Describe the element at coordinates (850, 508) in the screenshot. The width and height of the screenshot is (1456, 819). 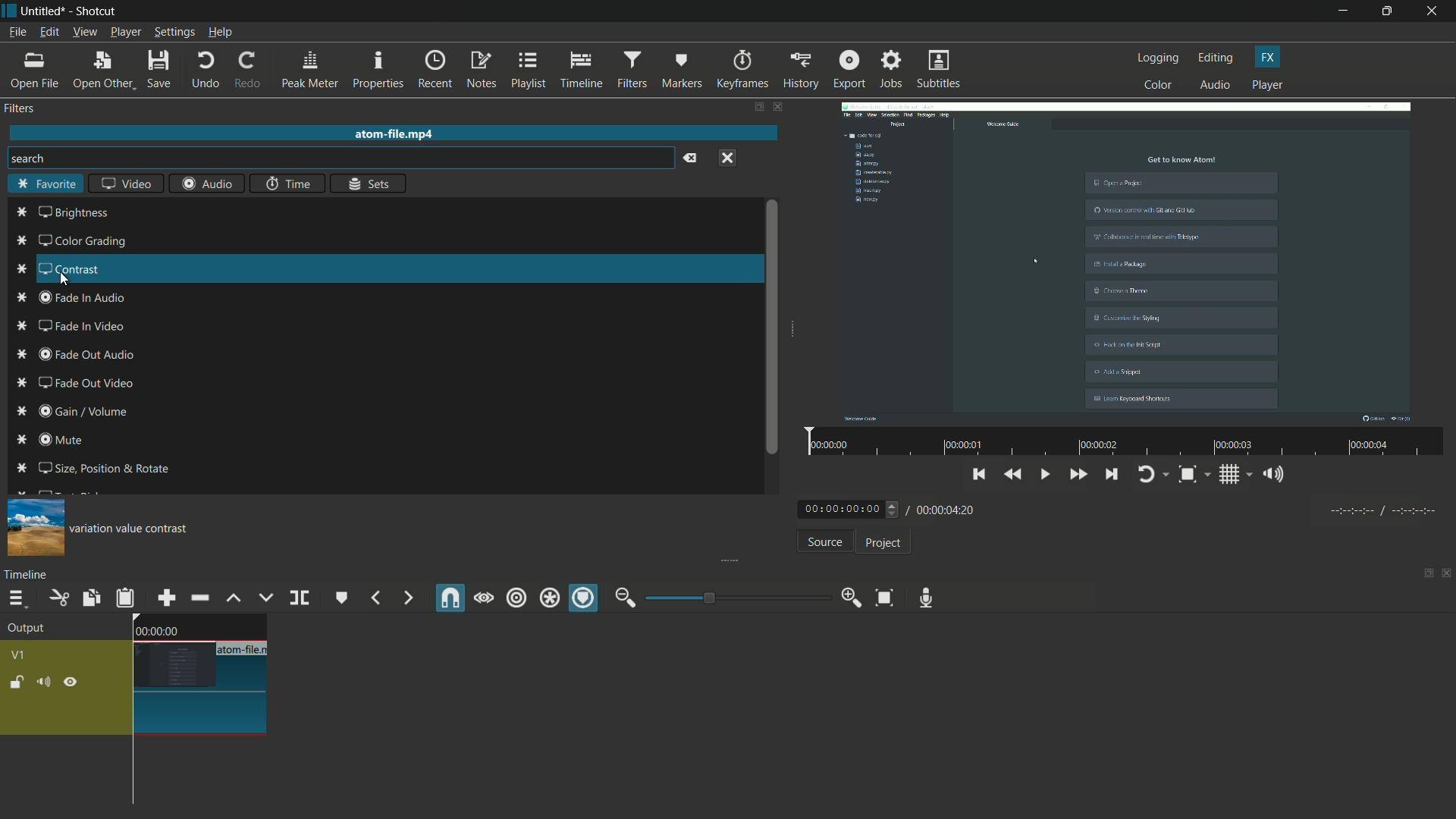
I see `00:00:00:00 (current time)` at that location.